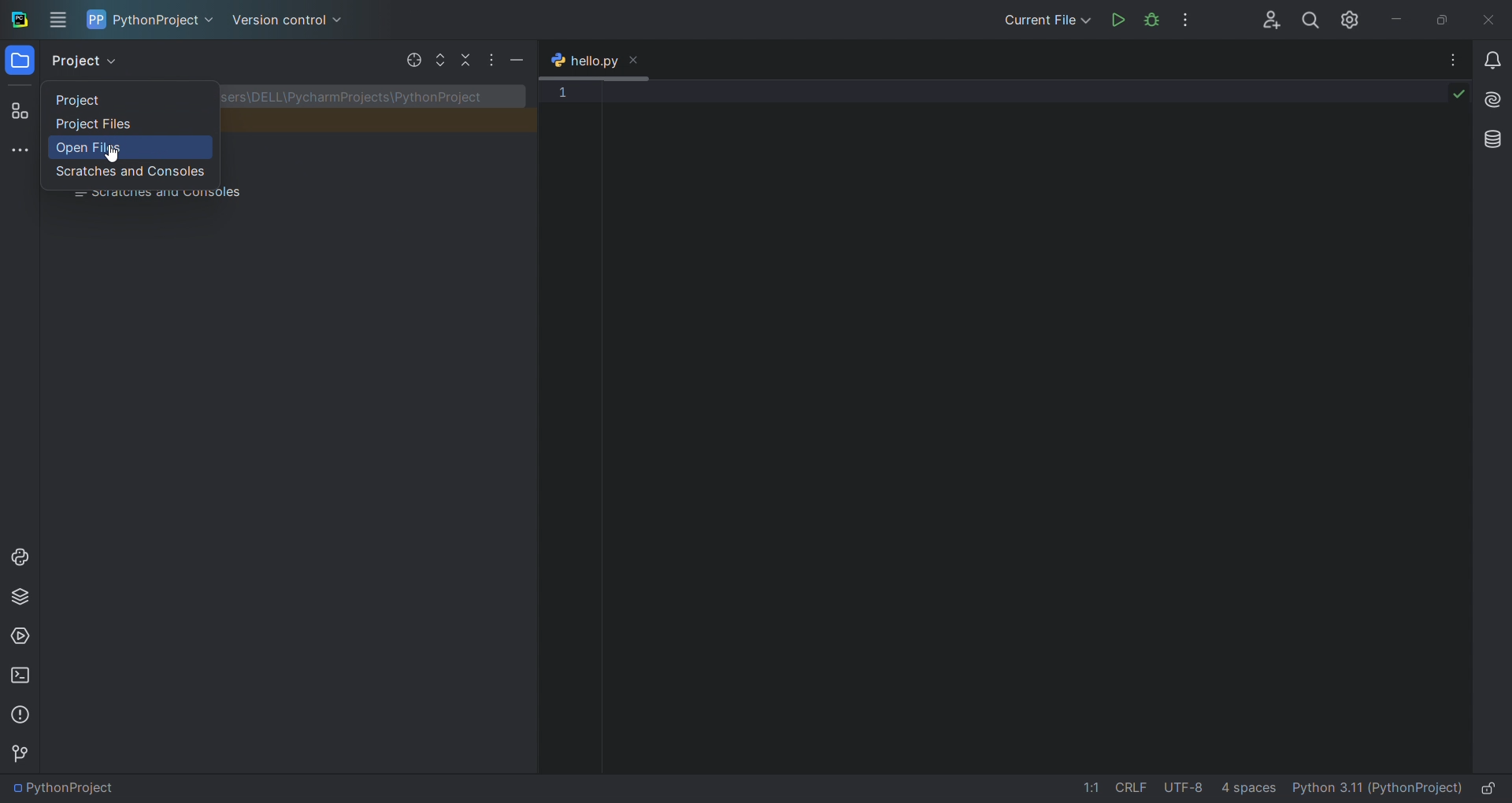 Image resolution: width=1512 pixels, height=803 pixels. I want to click on cursor, so click(114, 154).